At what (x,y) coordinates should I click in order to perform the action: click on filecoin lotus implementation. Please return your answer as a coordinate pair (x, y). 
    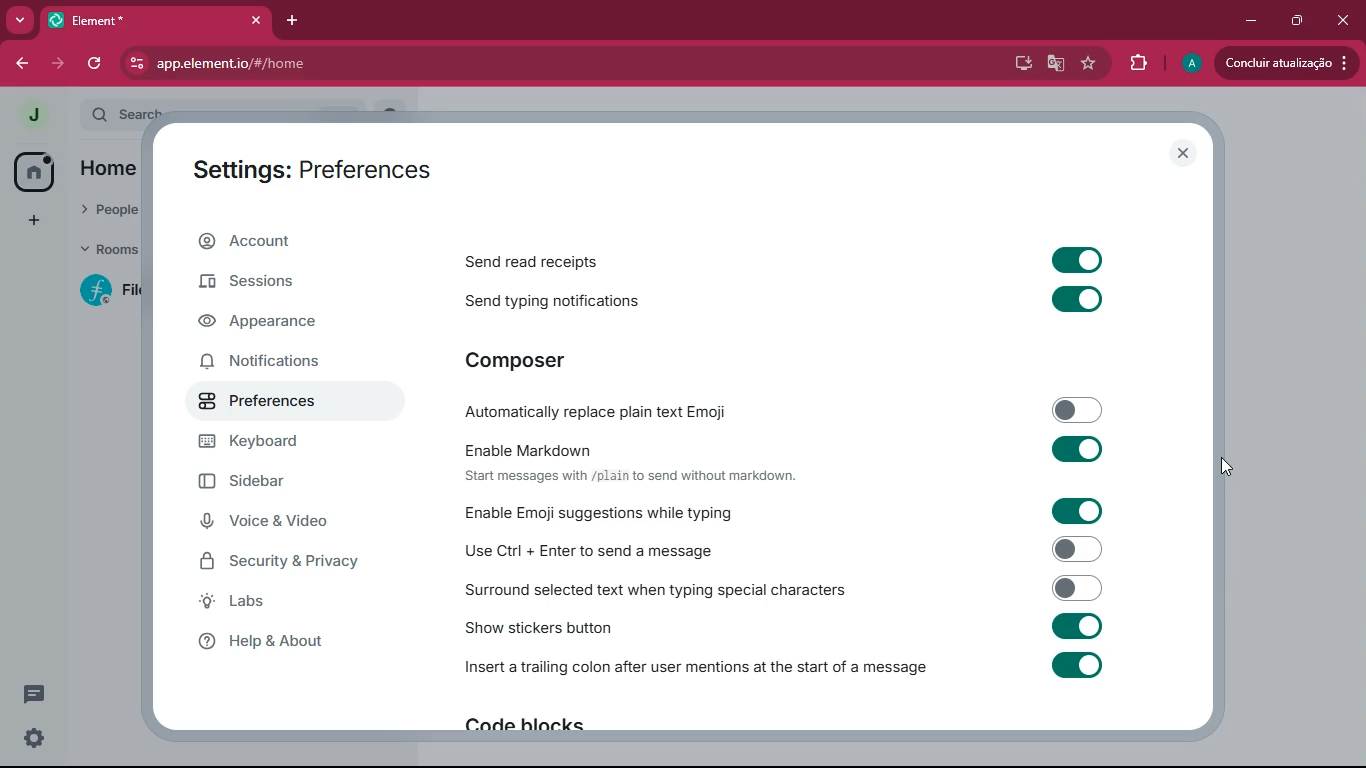
    Looking at the image, I should click on (109, 290).